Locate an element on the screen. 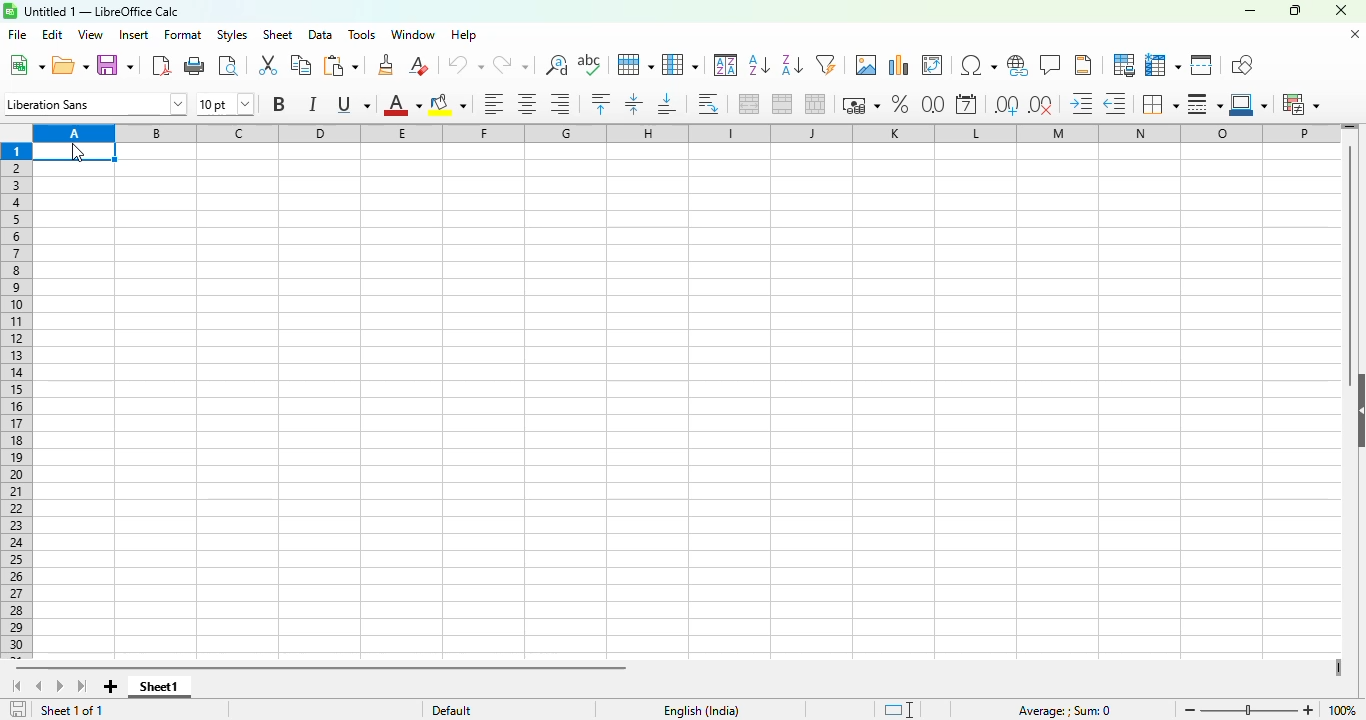 This screenshot has height=720, width=1366. font size is located at coordinates (224, 103).